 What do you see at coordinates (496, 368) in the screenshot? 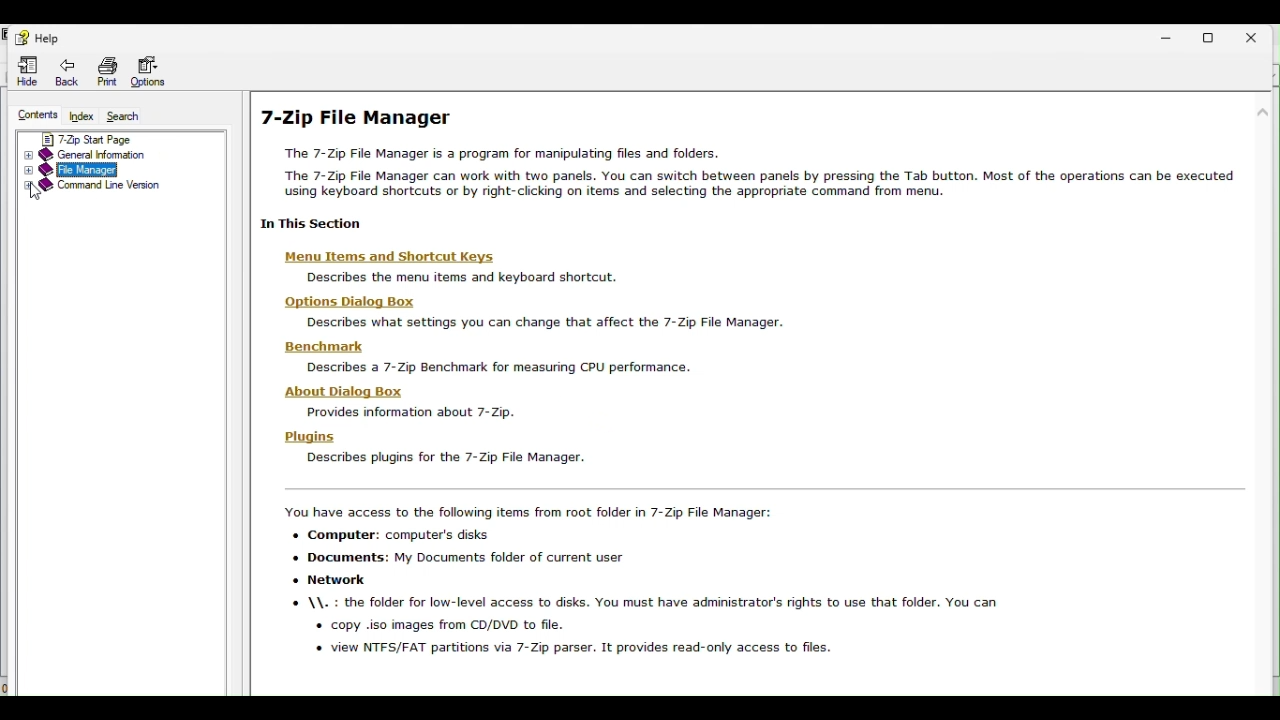
I see `Descnbes a 7-4 senchmark or measunng C¥uU periormance.` at bounding box center [496, 368].